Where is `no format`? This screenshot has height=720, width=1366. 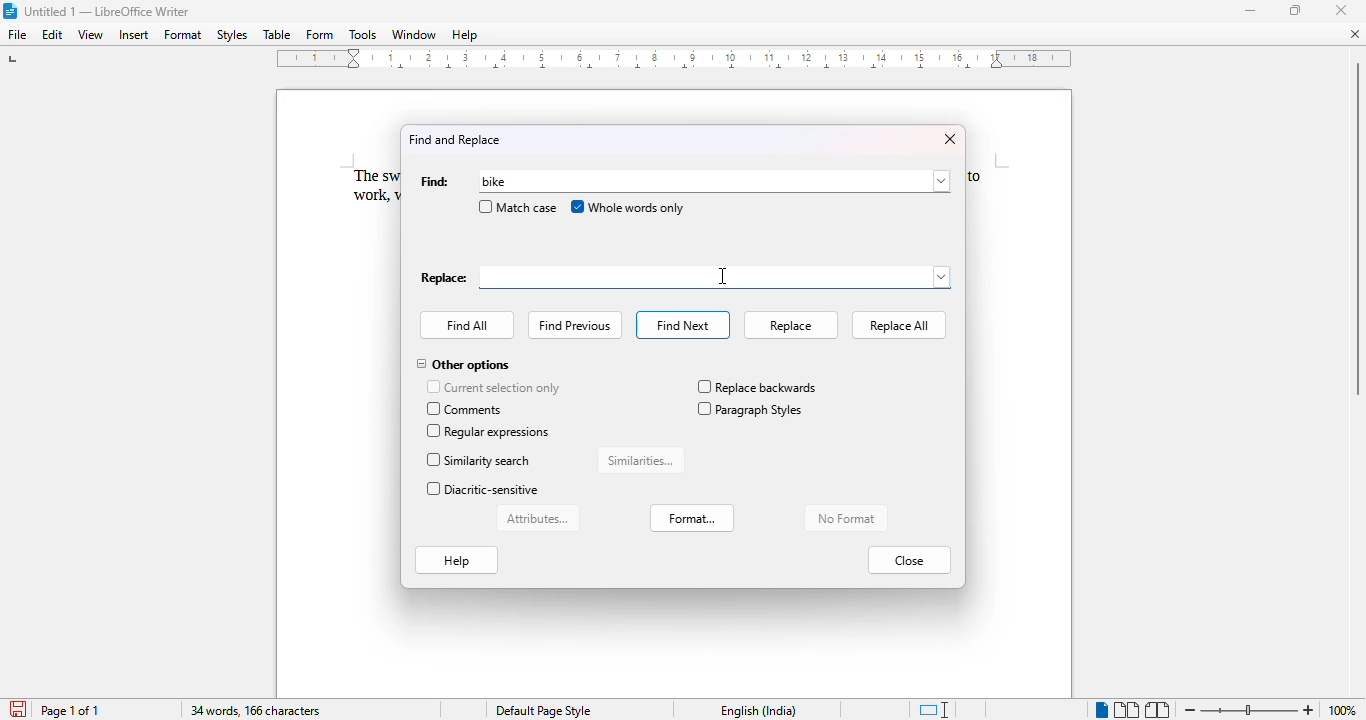
no format is located at coordinates (844, 517).